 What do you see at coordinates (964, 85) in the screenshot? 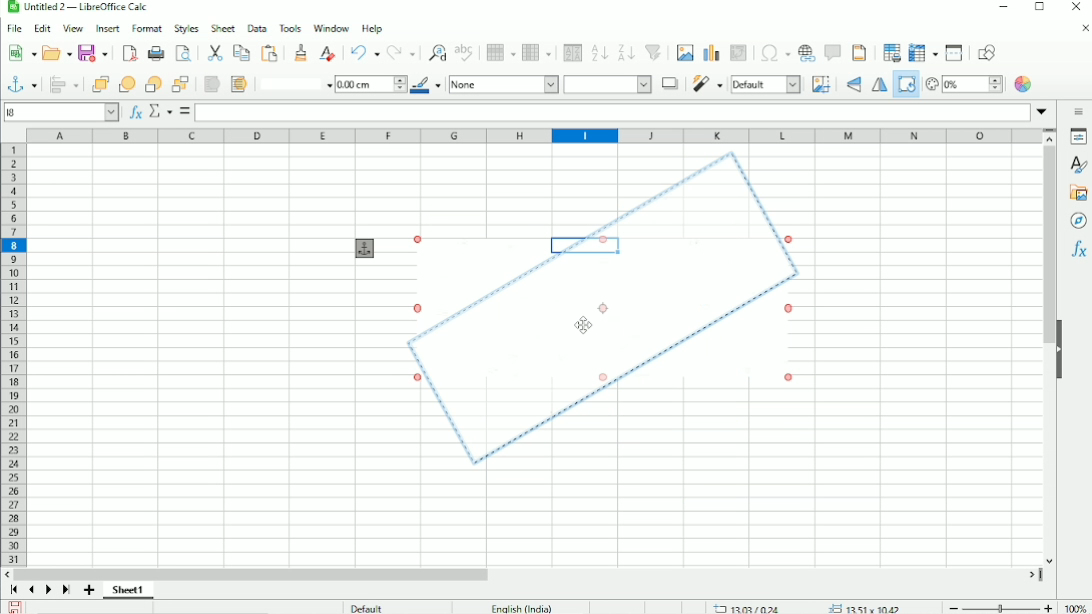
I see `Transparency` at bounding box center [964, 85].